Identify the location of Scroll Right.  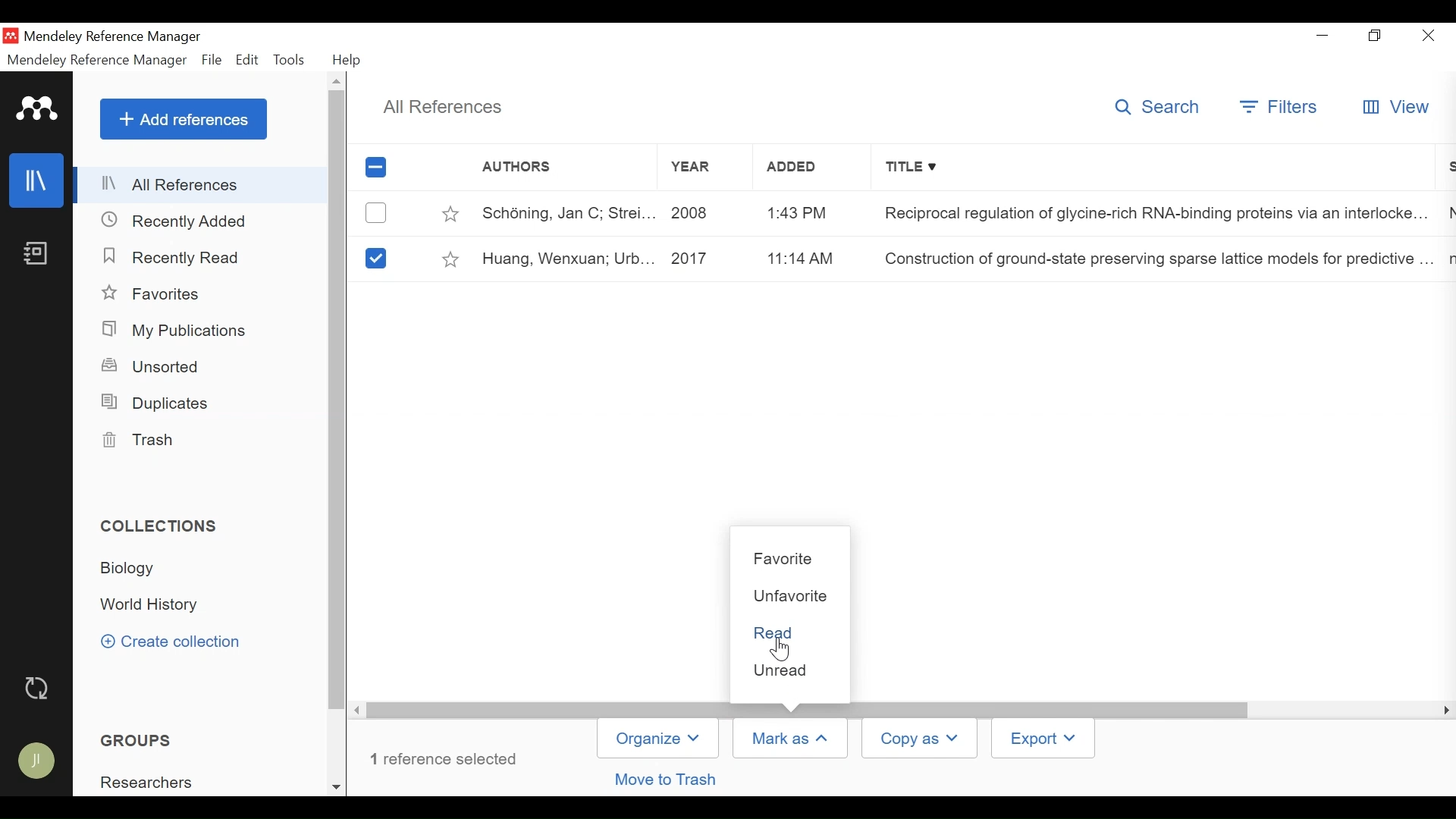
(1444, 711).